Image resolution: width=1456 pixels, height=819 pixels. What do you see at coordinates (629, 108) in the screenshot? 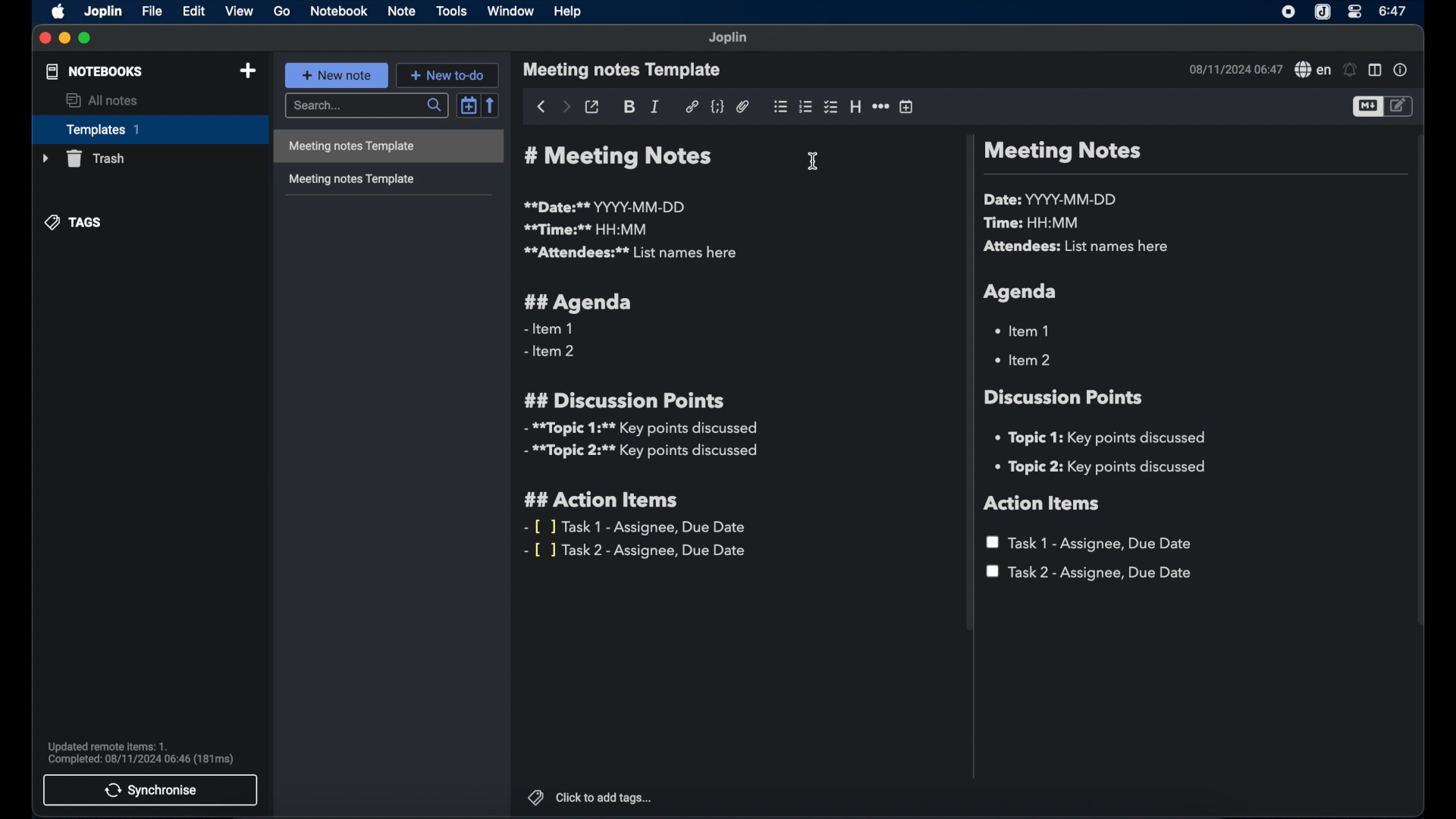
I see `bold` at bounding box center [629, 108].